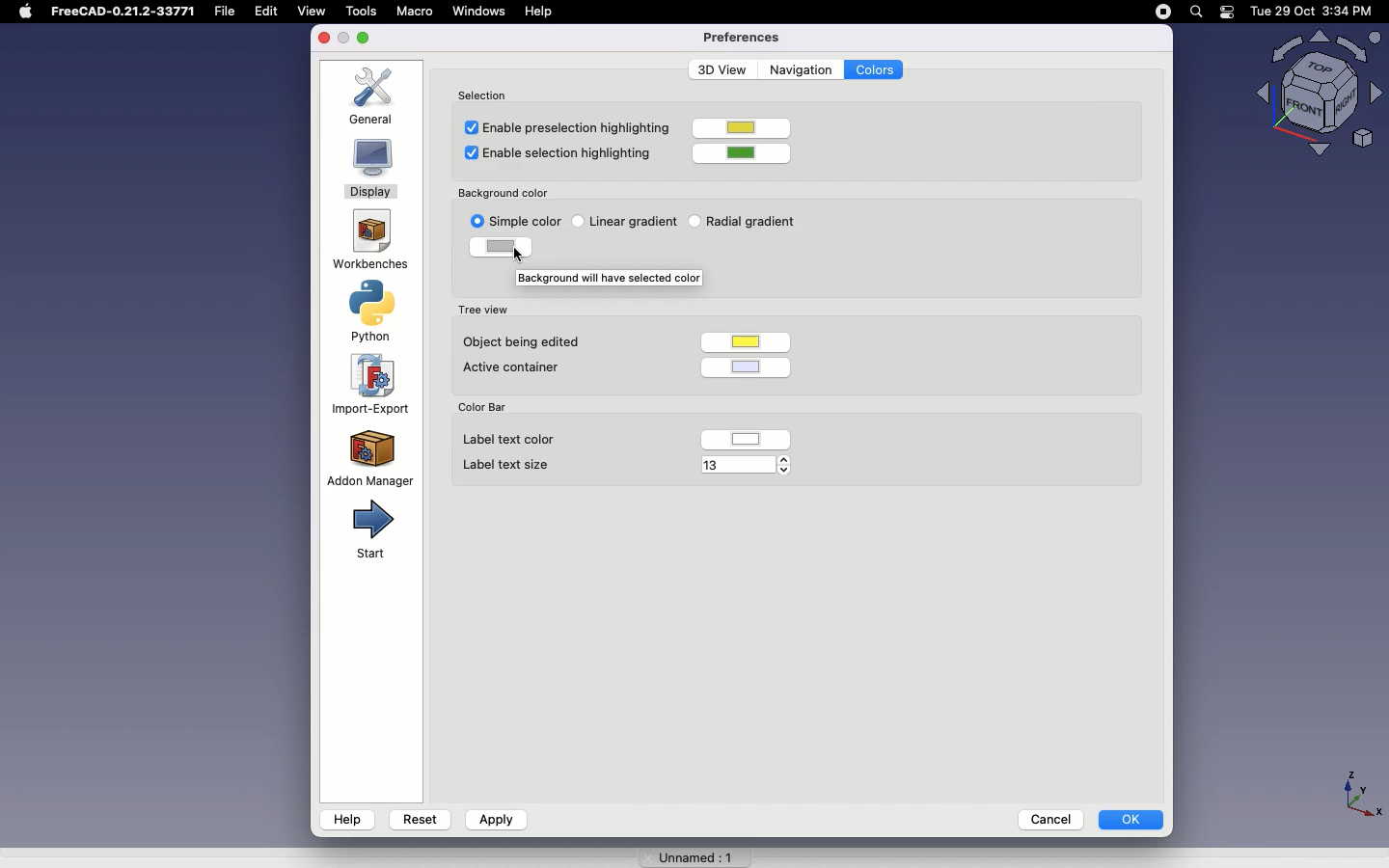  Describe the element at coordinates (1195, 12) in the screenshot. I see `search` at that location.